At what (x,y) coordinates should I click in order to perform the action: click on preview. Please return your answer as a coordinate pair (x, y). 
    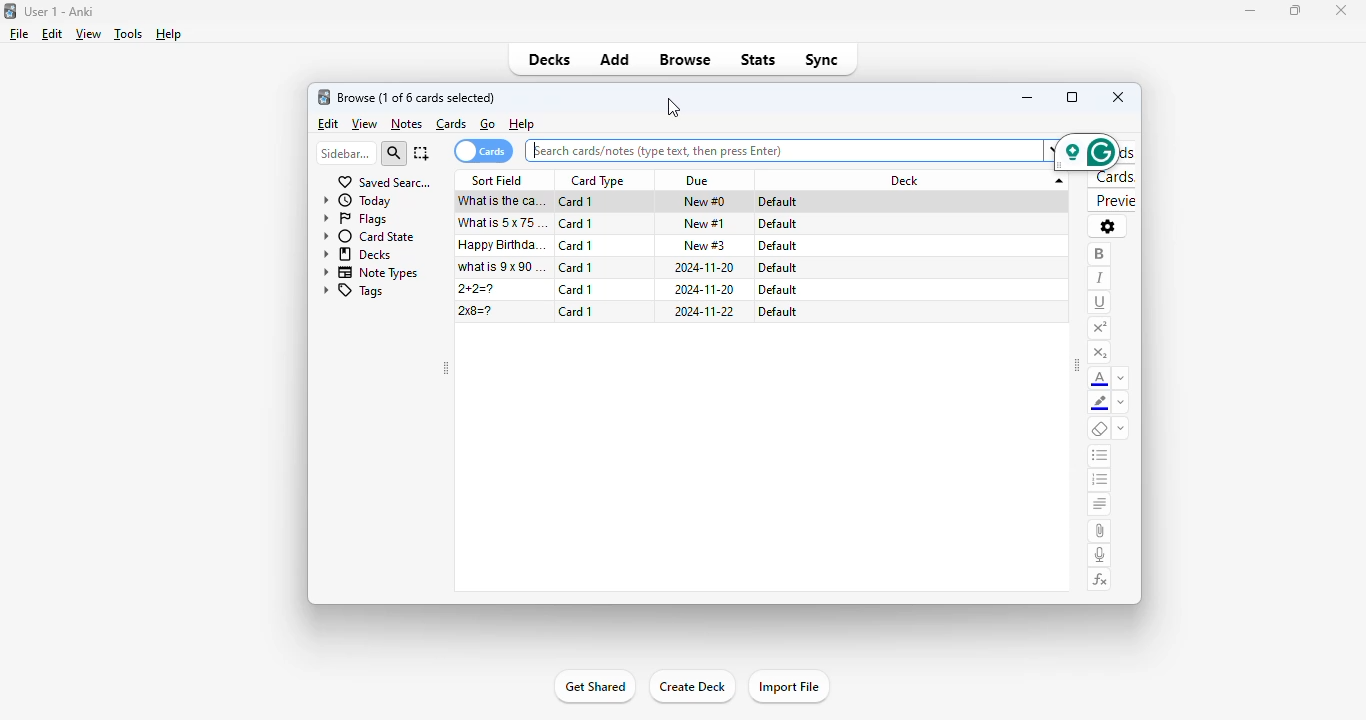
    Looking at the image, I should click on (1112, 200).